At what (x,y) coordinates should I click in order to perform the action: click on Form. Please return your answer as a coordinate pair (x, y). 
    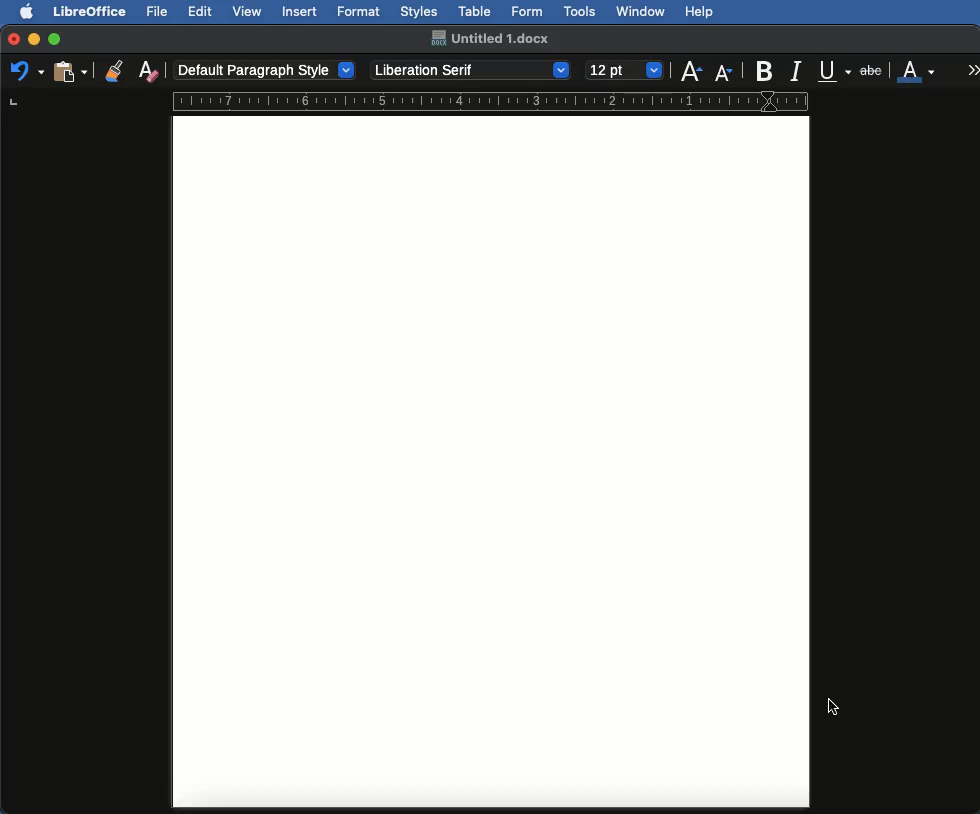
    Looking at the image, I should click on (527, 12).